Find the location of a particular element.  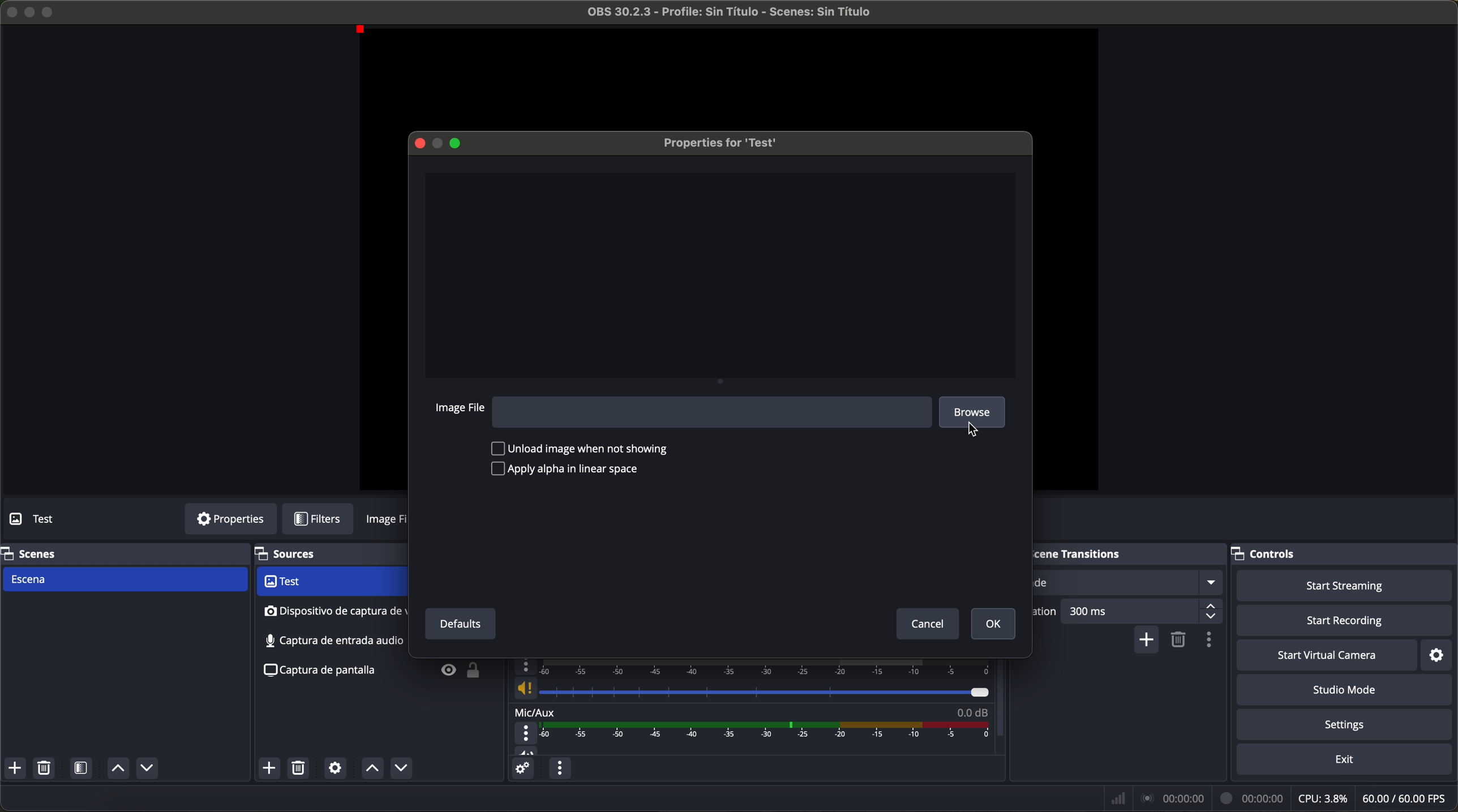

screenshot is located at coordinates (325, 672).